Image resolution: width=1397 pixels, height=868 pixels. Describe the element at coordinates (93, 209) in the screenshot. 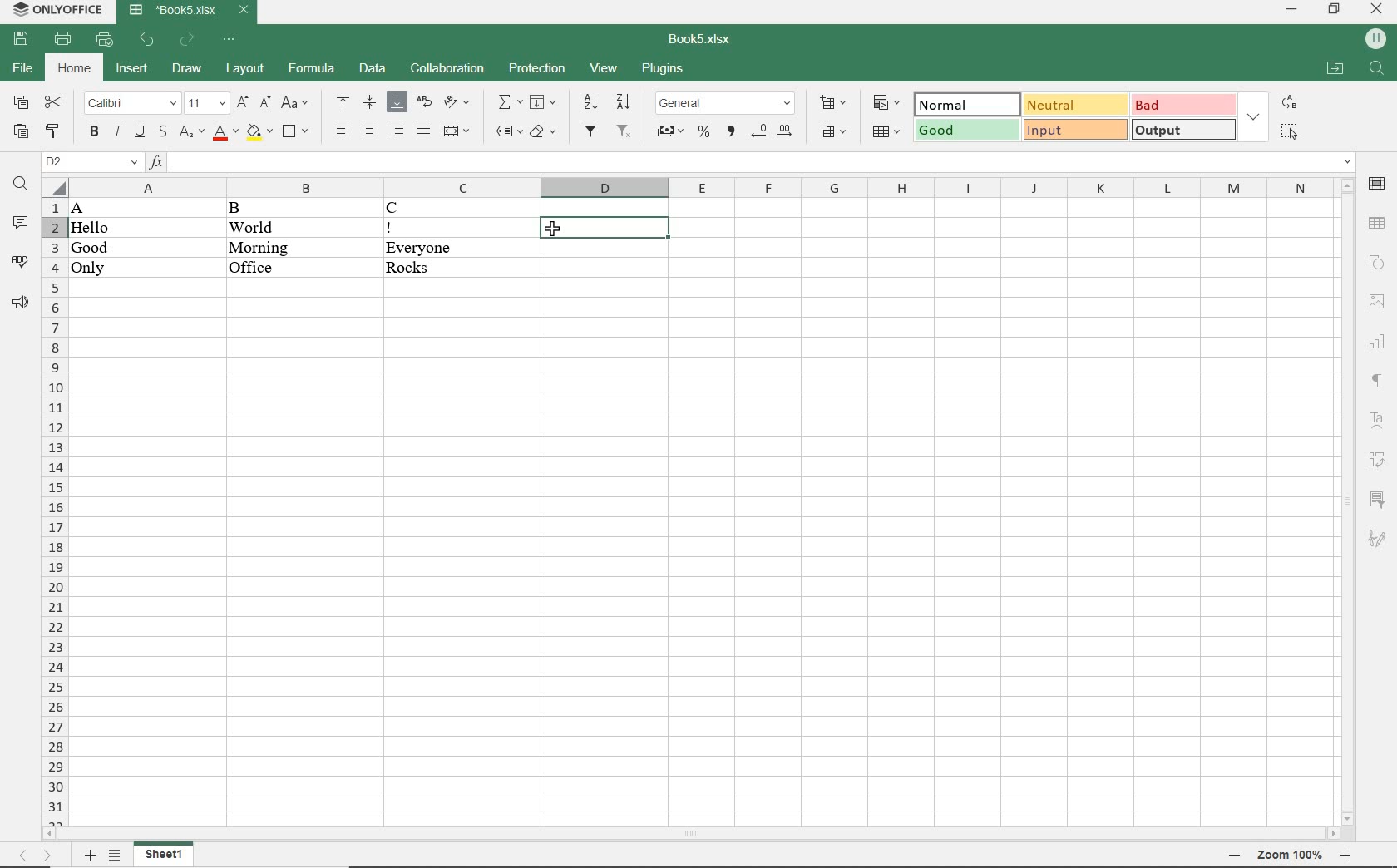

I see `A` at that location.